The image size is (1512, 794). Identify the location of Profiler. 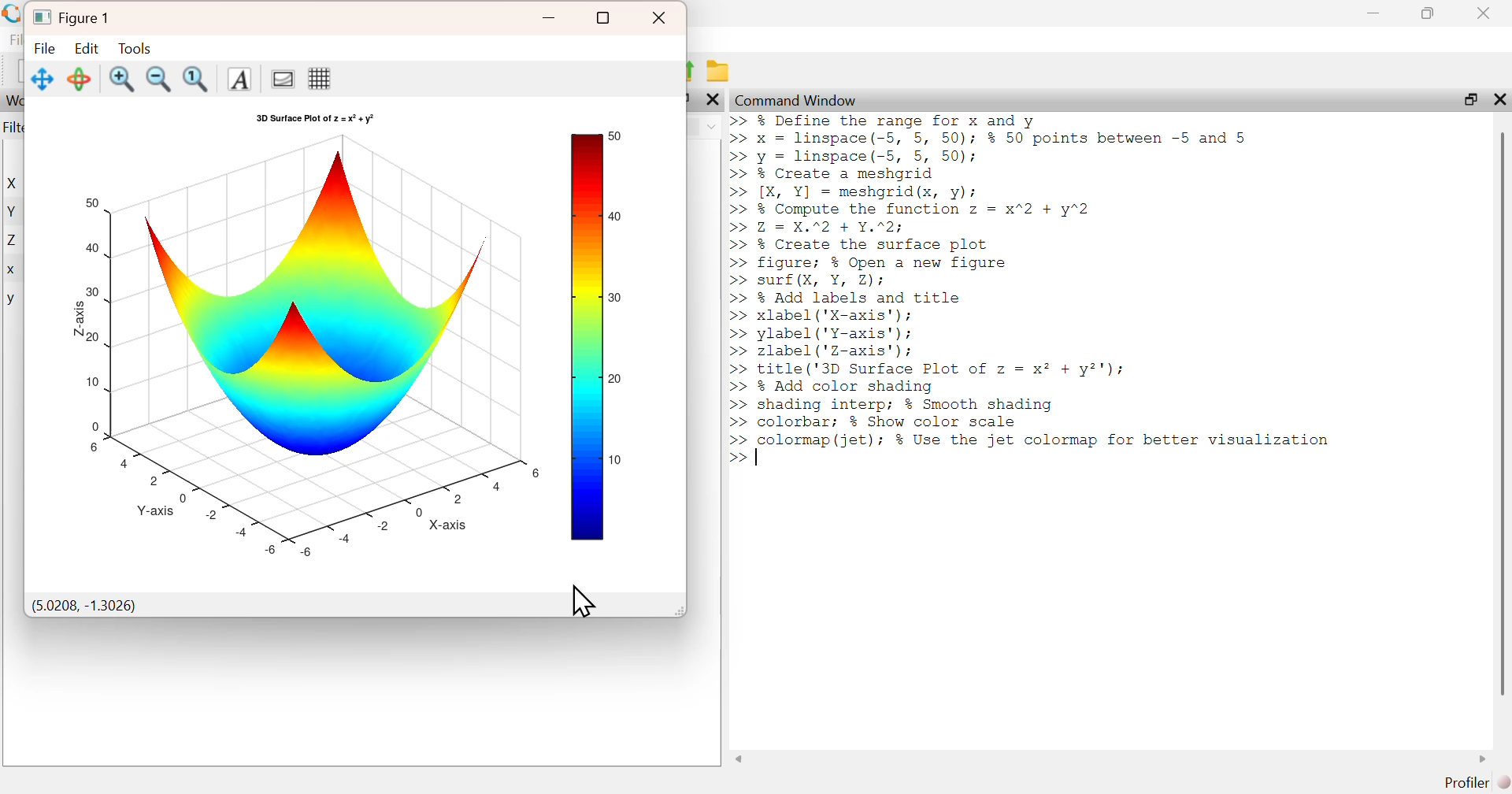
(1477, 783).